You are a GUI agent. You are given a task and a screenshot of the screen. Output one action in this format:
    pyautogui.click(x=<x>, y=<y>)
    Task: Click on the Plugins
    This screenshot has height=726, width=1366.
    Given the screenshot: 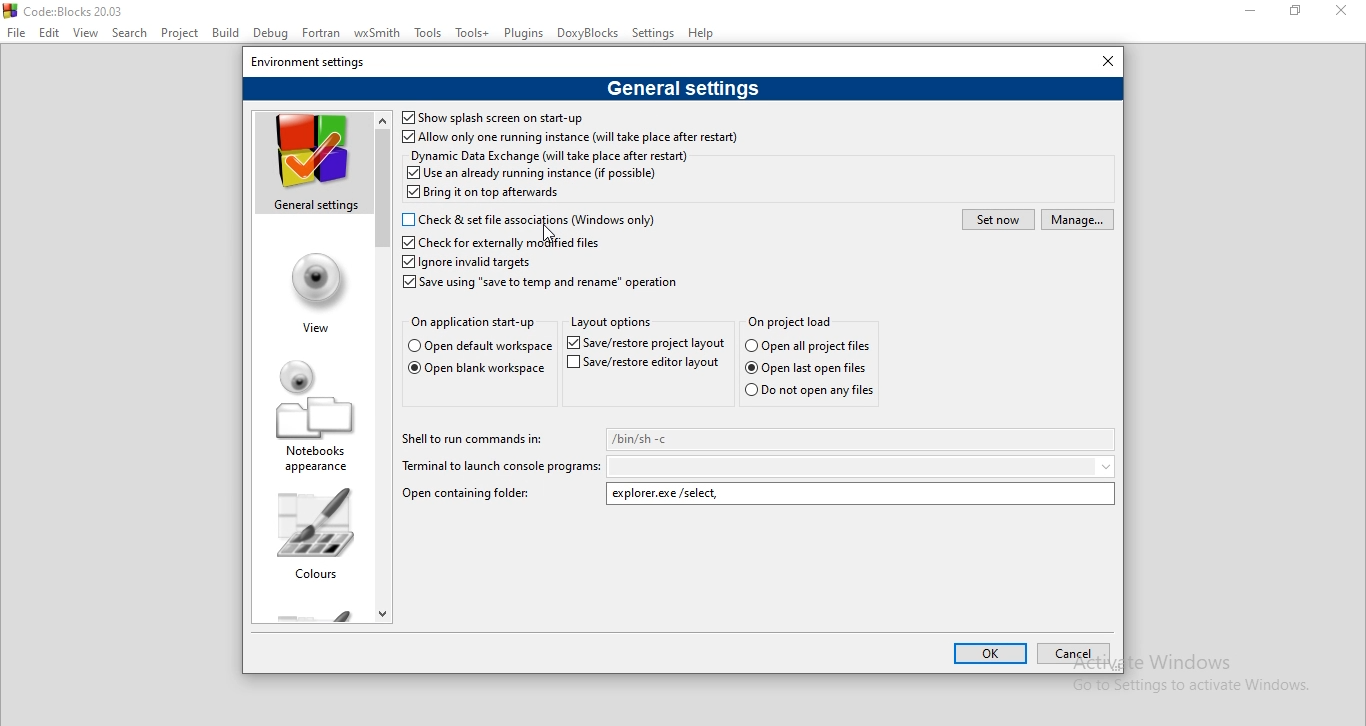 What is the action you would take?
    pyautogui.click(x=524, y=32)
    